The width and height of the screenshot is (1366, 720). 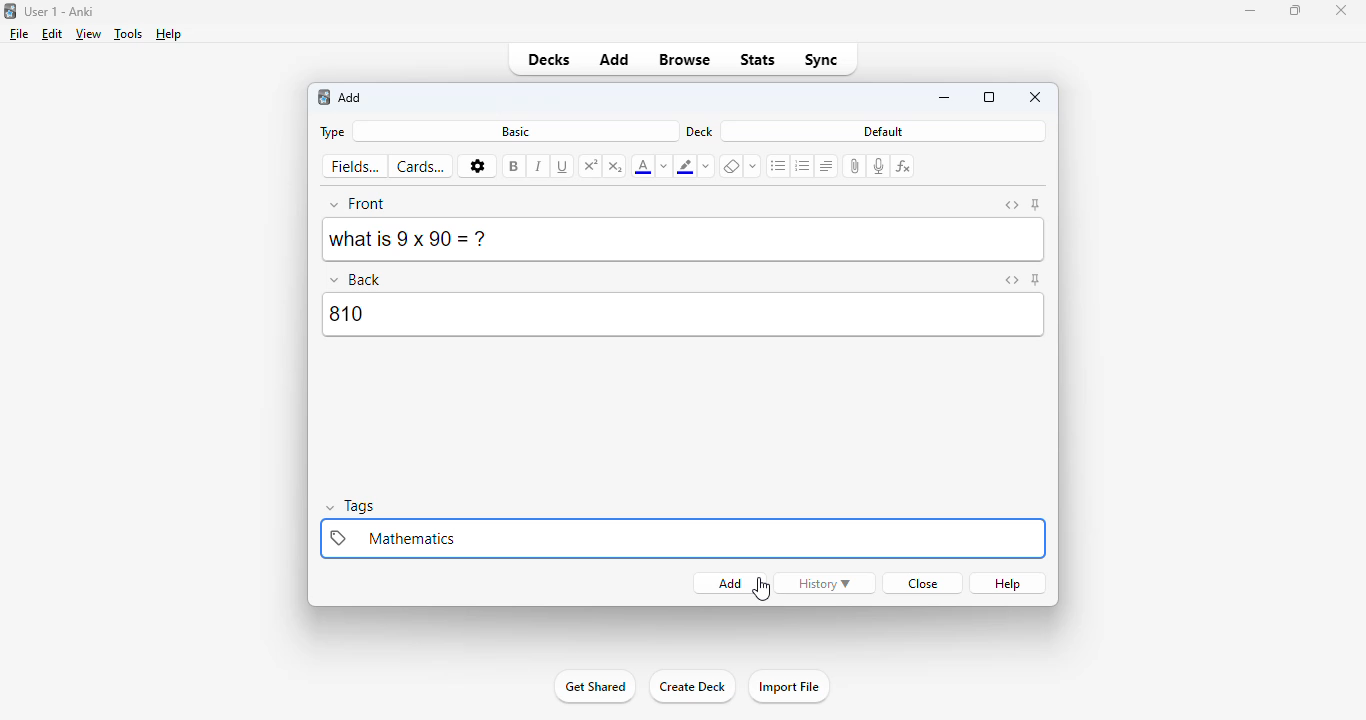 What do you see at coordinates (779, 167) in the screenshot?
I see `unordered list` at bounding box center [779, 167].